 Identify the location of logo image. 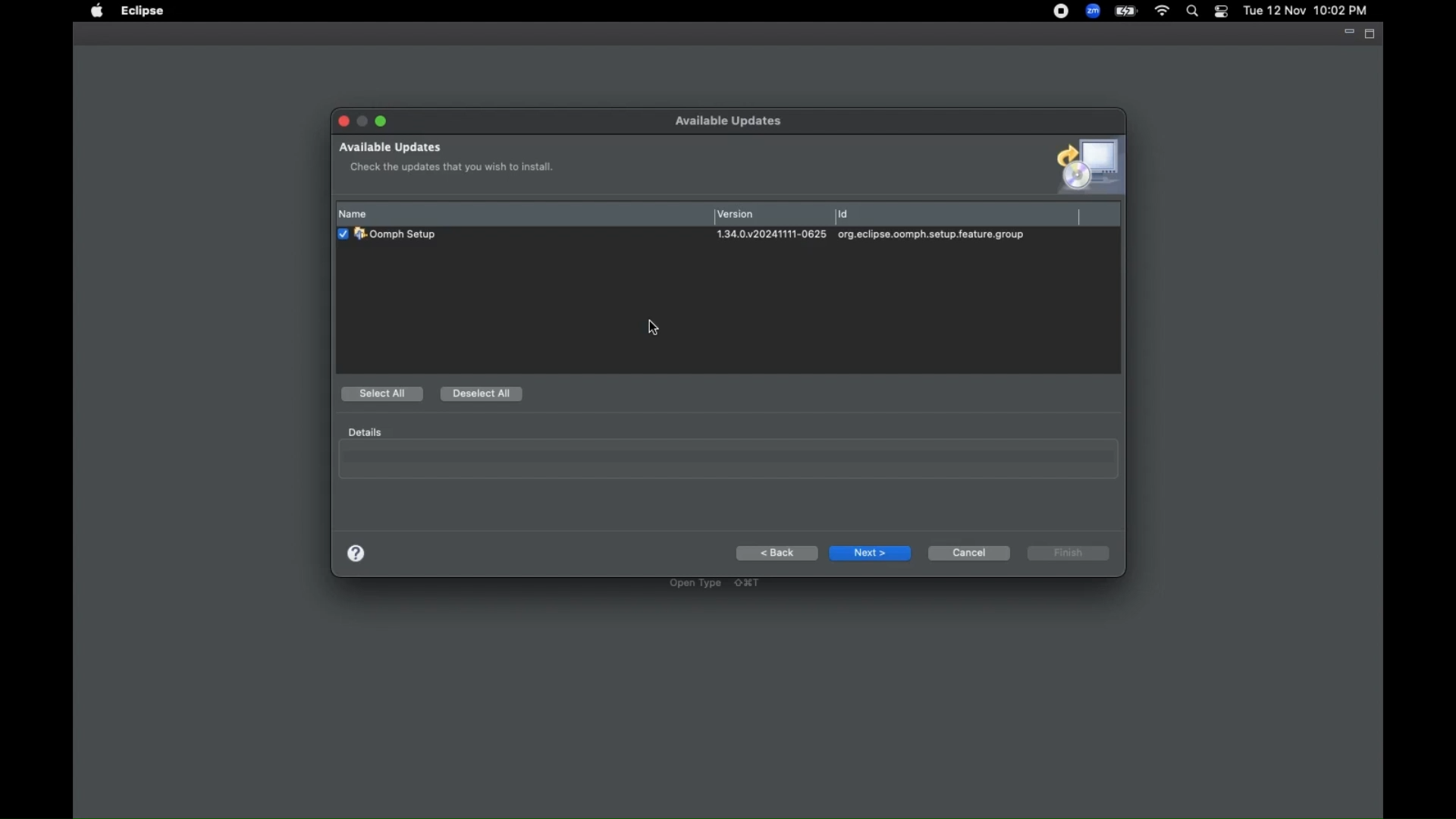
(1080, 167).